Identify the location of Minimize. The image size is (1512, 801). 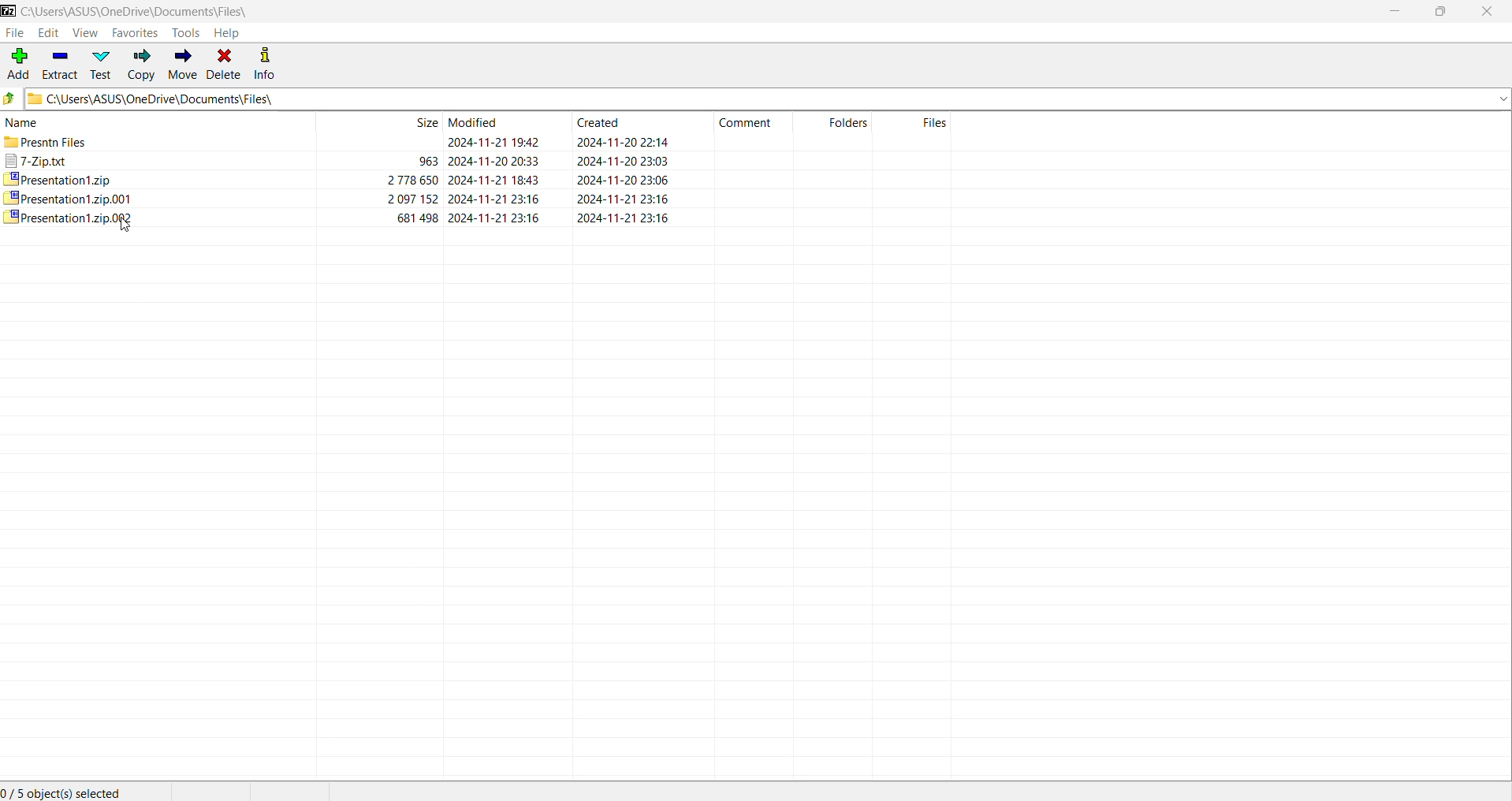
(1391, 11).